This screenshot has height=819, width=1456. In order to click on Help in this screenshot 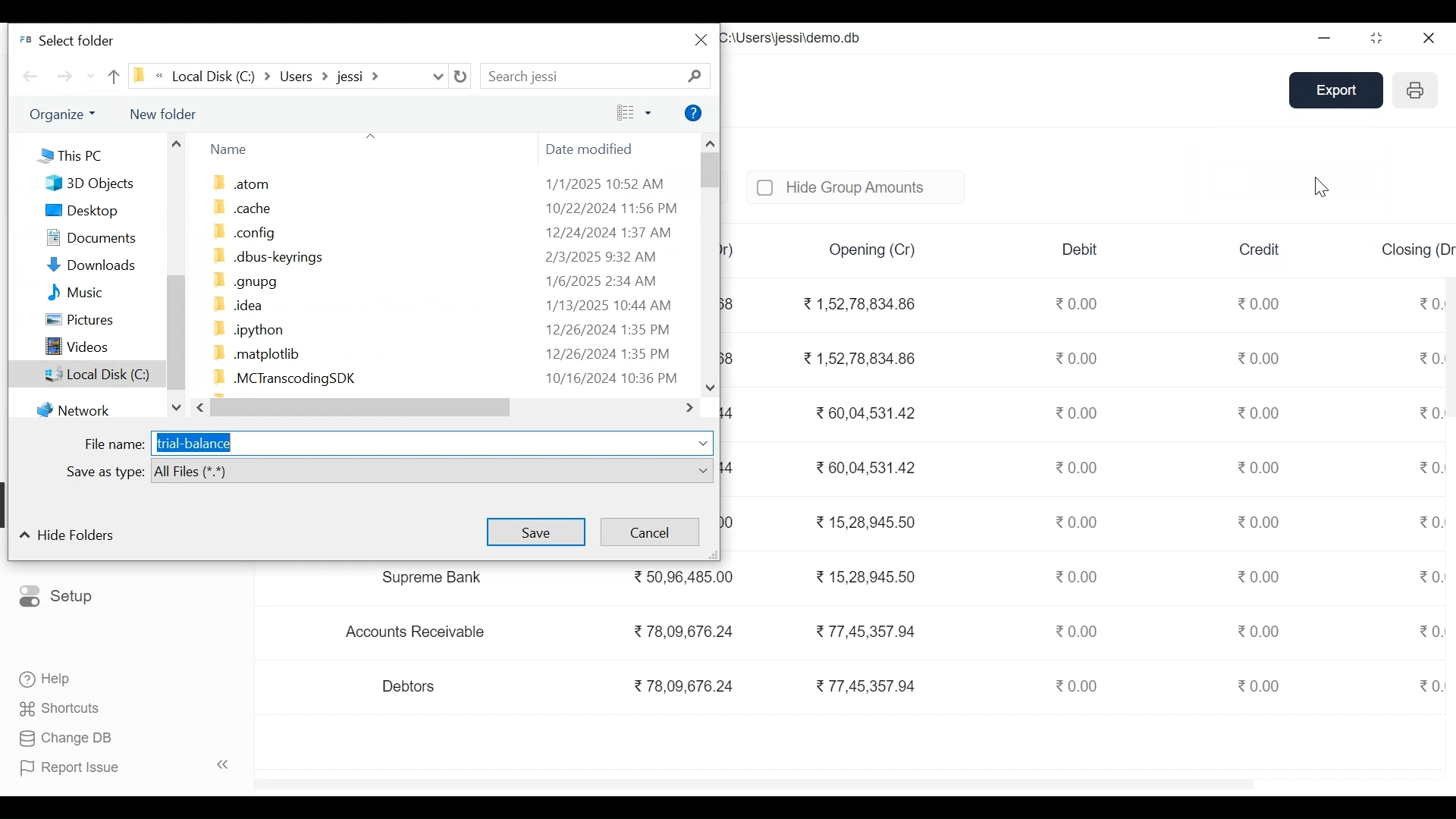, I will do `click(695, 112)`.